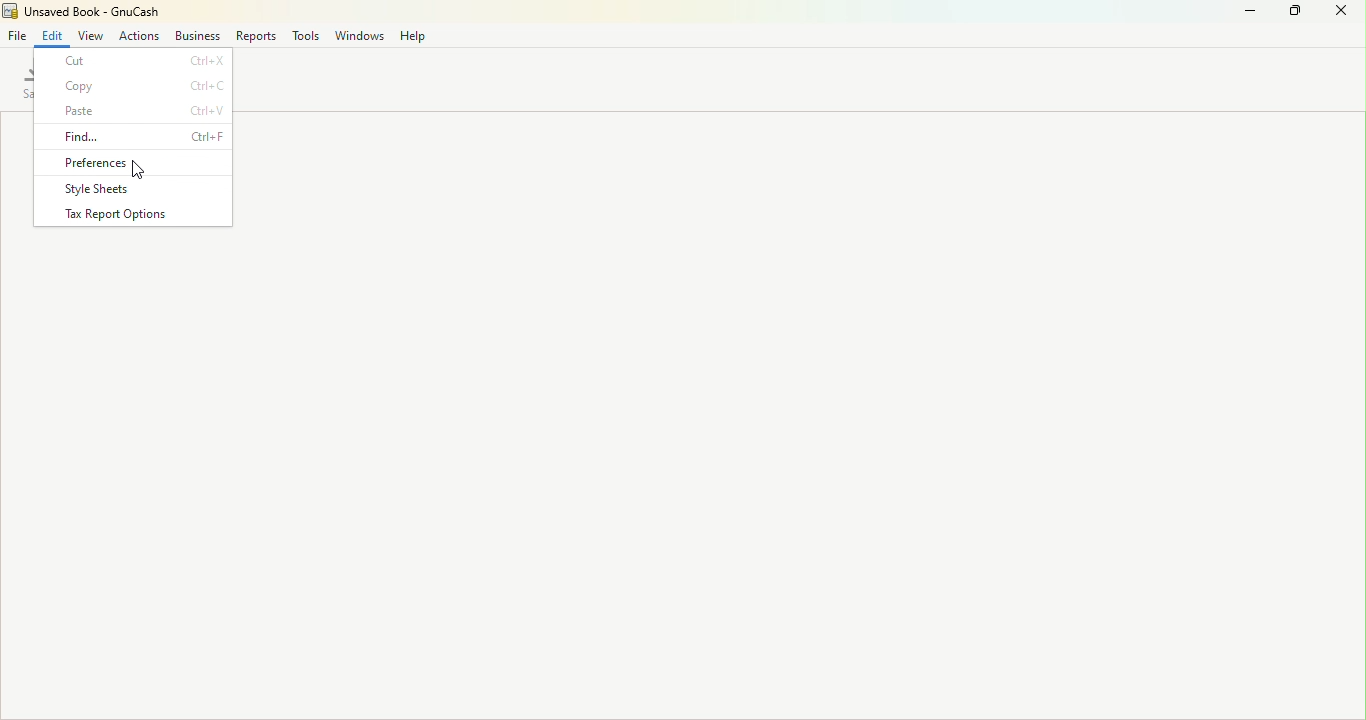 This screenshot has height=720, width=1366. What do you see at coordinates (15, 35) in the screenshot?
I see `File` at bounding box center [15, 35].